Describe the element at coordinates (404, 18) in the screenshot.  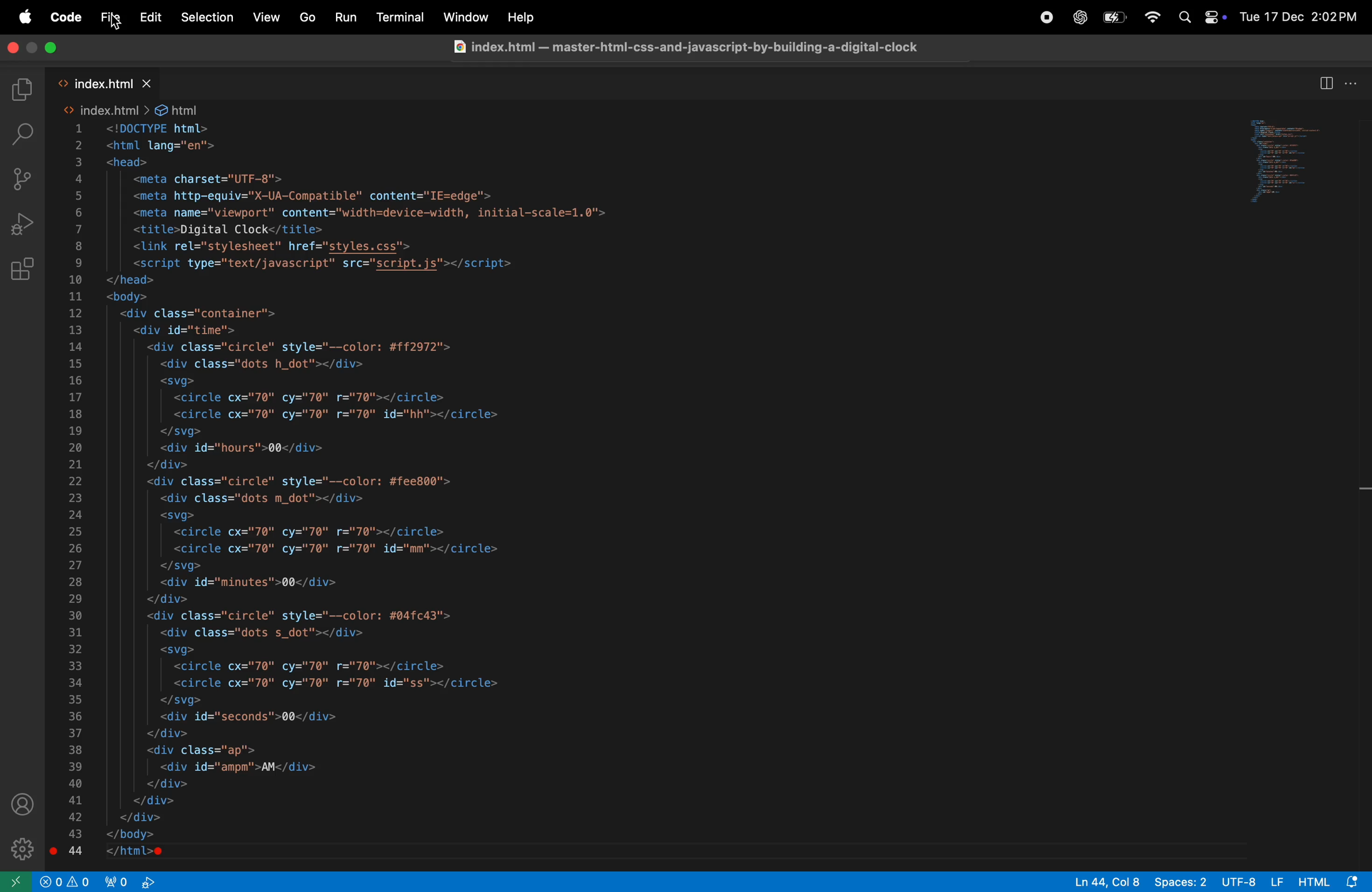
I see `terminal` at that location.